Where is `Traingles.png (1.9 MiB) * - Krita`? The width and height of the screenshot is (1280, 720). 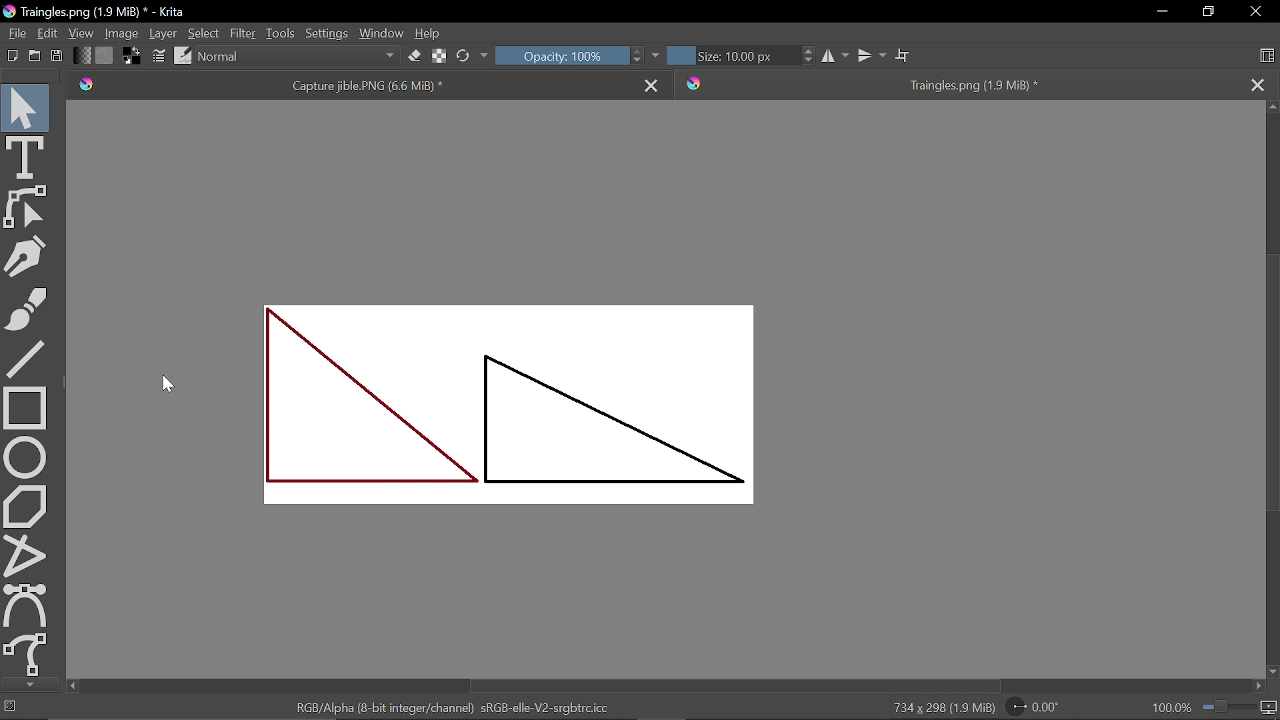
Traingles.png (1.9 MiB) * - Krita is located at coordinates (95, 12).